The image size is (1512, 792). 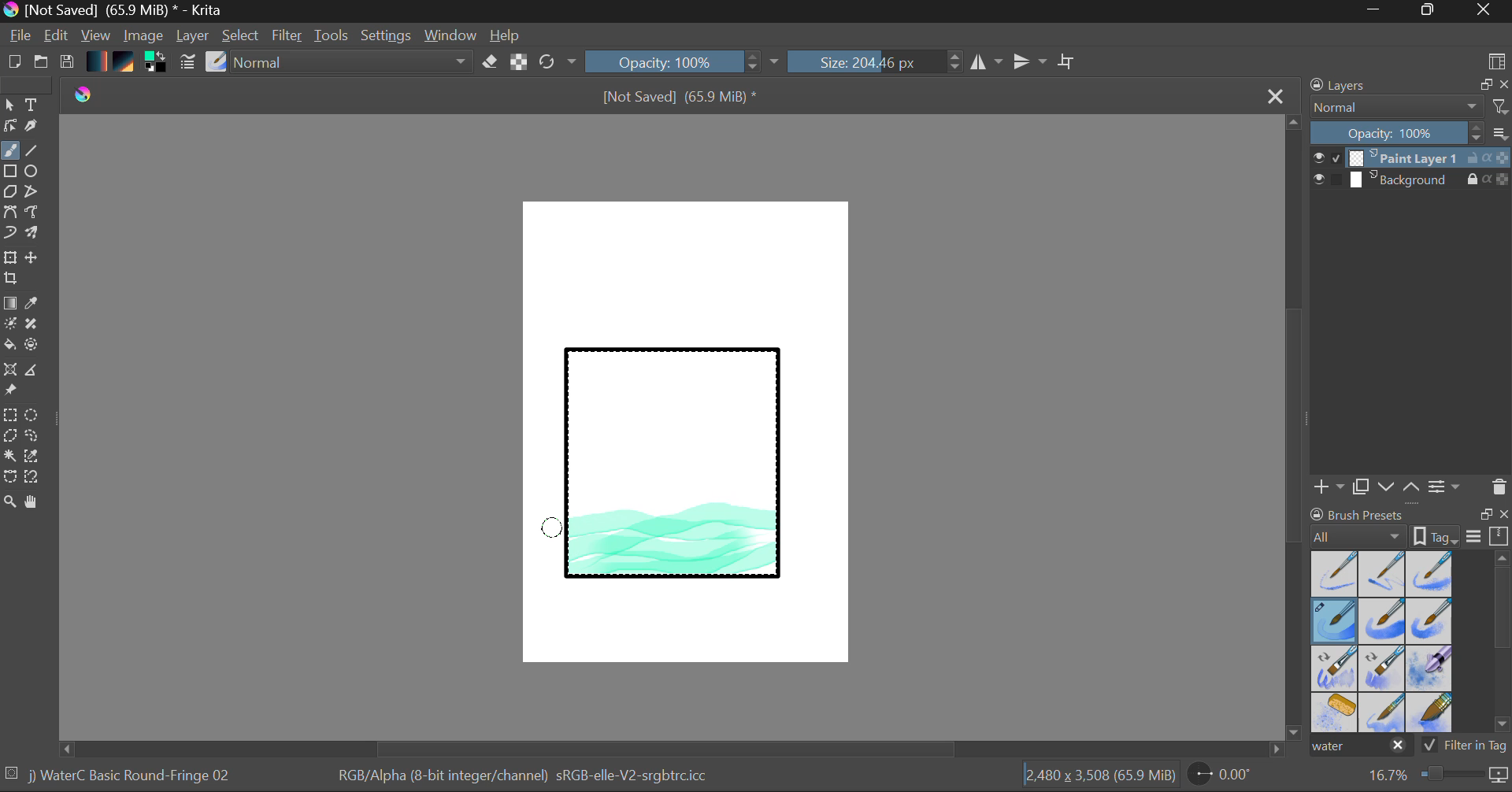 What do you see at coordinates (115, 11) in the screenshot?
I see `Window Title` at bounding box center [115, 11].